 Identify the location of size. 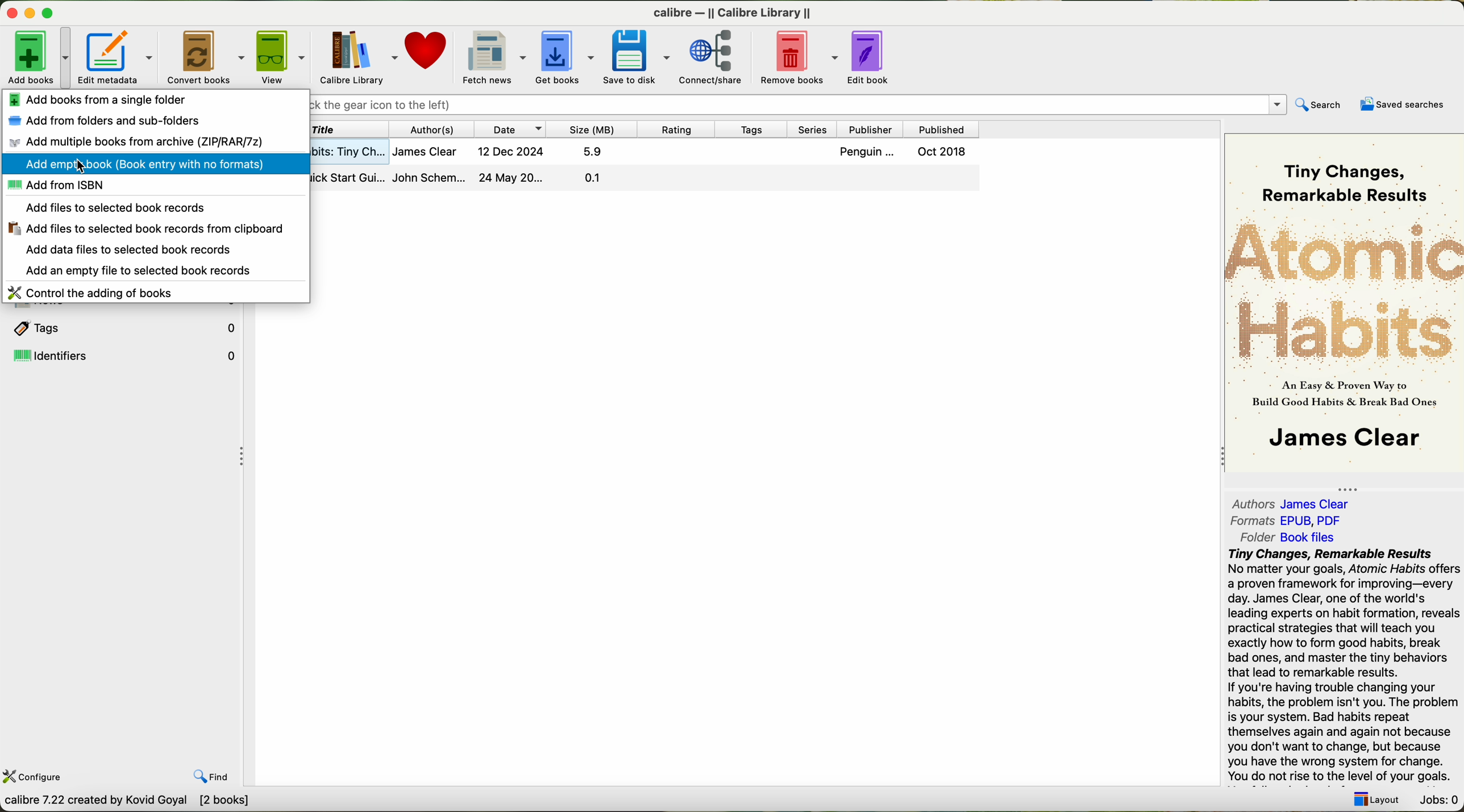
(588, 130).